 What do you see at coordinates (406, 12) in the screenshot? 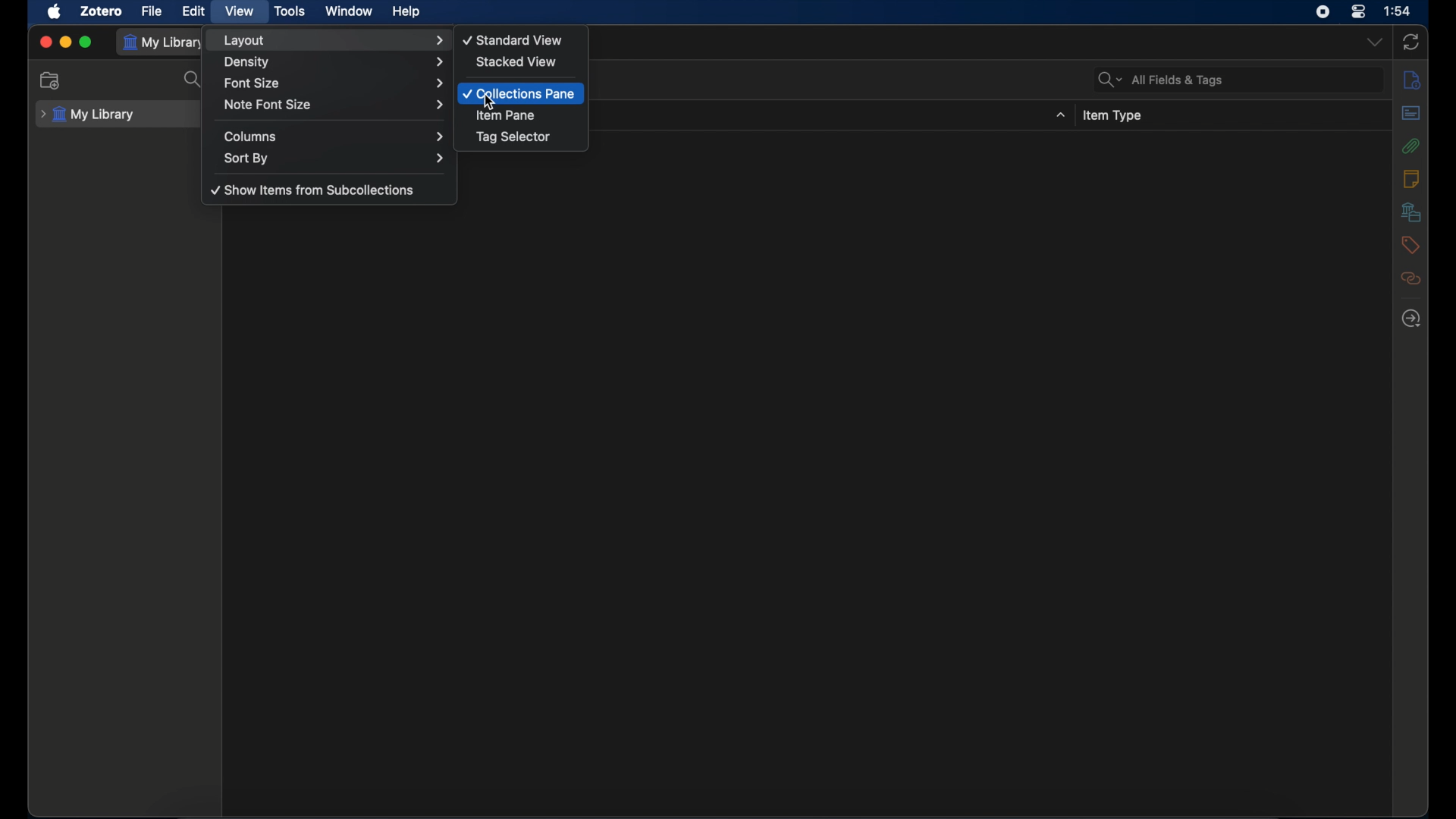
I see `help` at bounding box center [406, 12].